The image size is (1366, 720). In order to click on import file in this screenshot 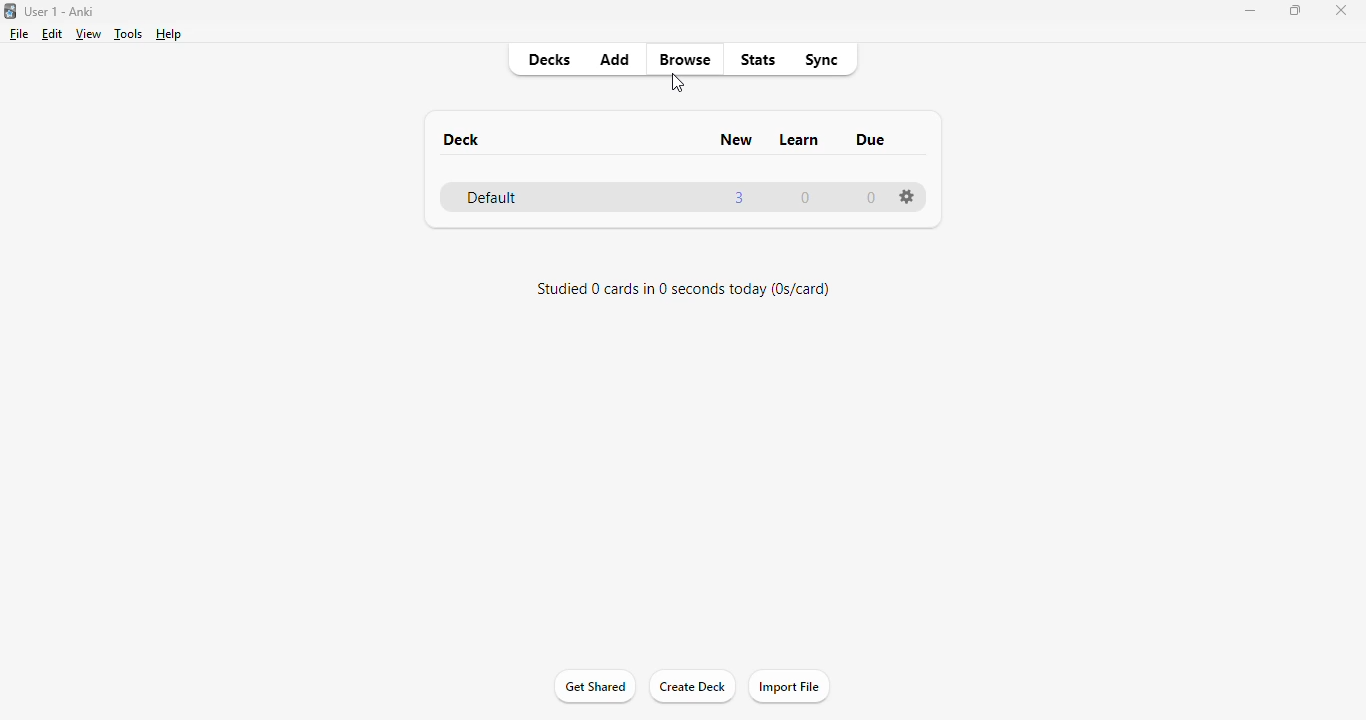, I will do `click(788, 687)`.